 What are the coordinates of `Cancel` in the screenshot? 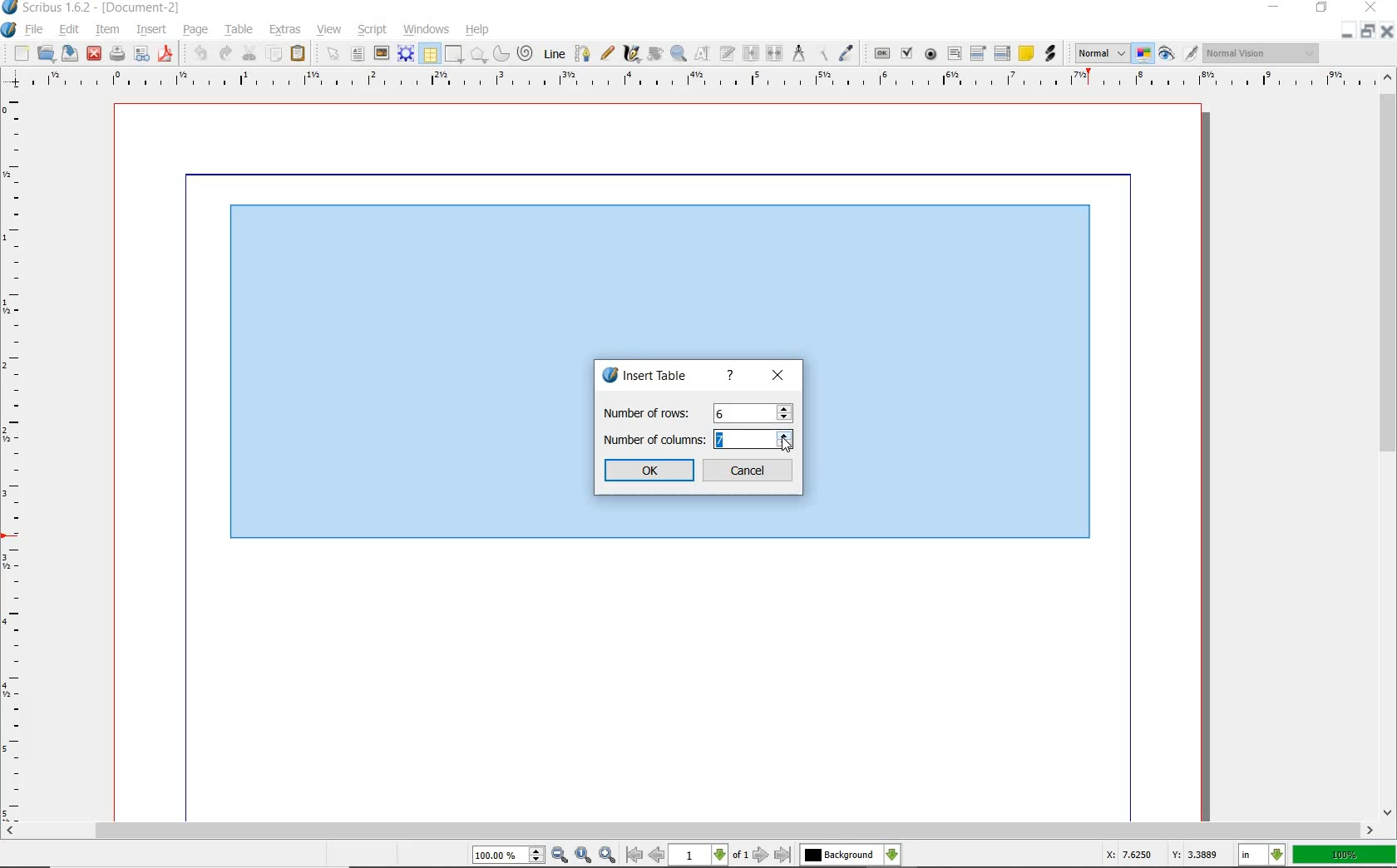 It's located at (748, 473).